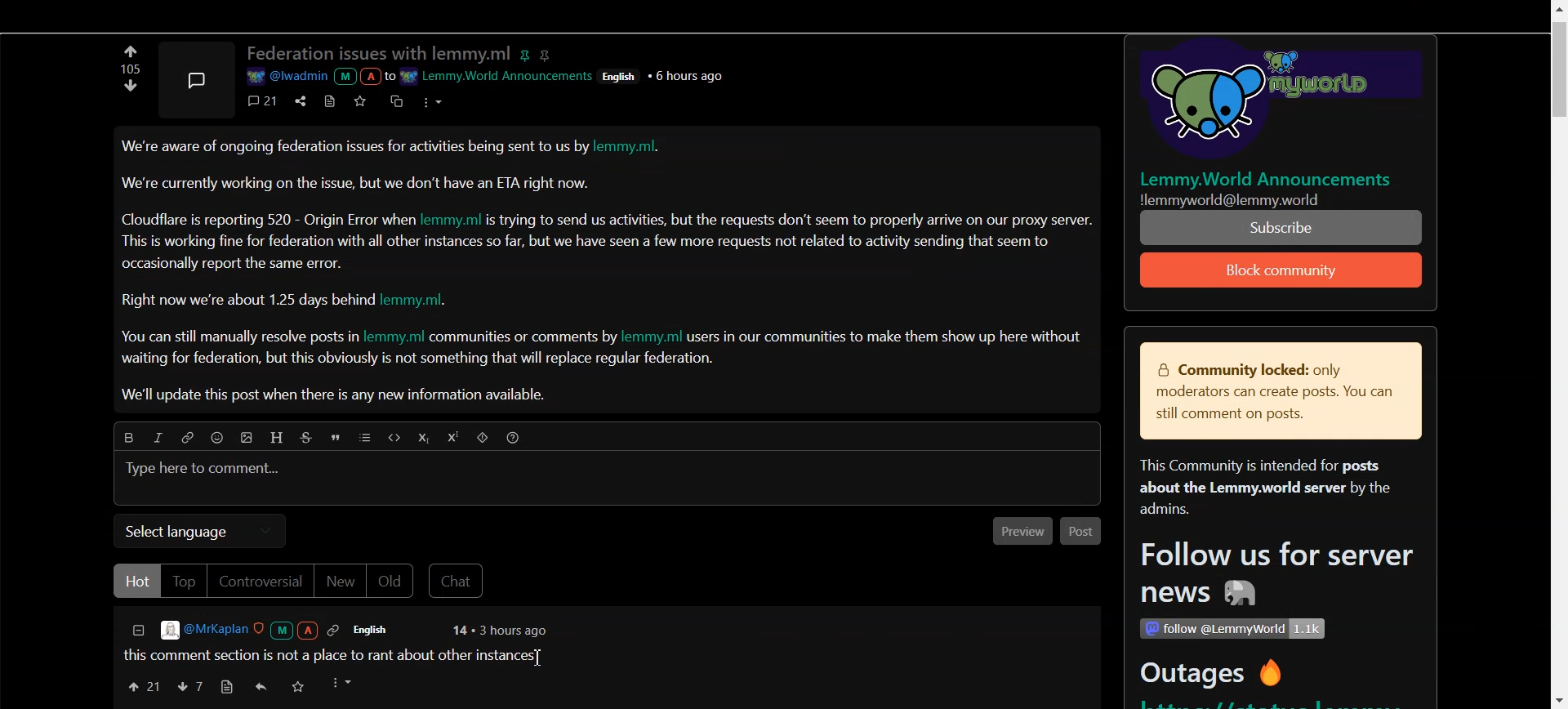 The height and width of the screenshot is (709, 1568). What do you see at coordinates (453, 218) in the screenshot?
I see `lemmy.ml` at bounding box center [453, 218].